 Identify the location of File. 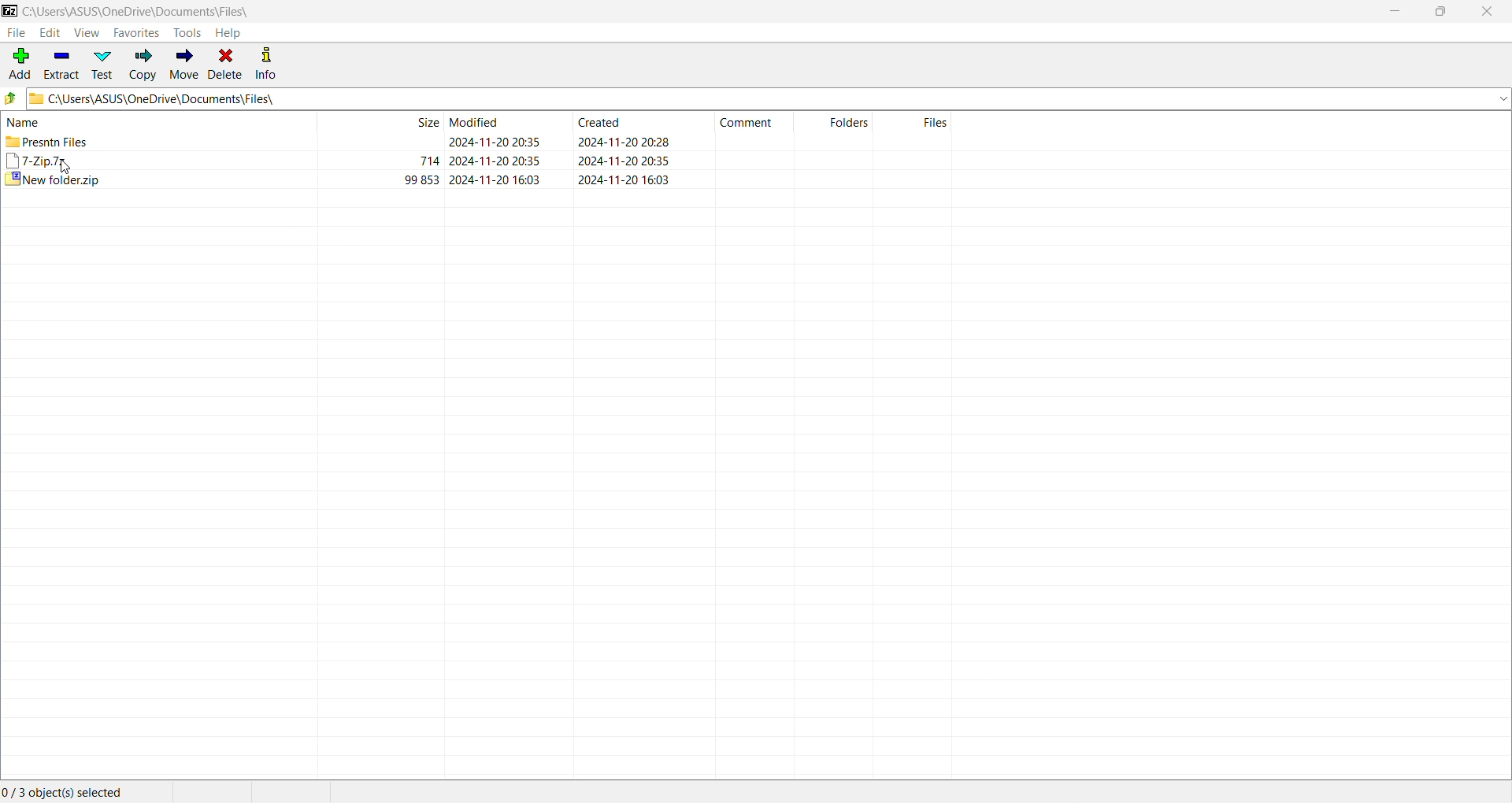
(14, 33).